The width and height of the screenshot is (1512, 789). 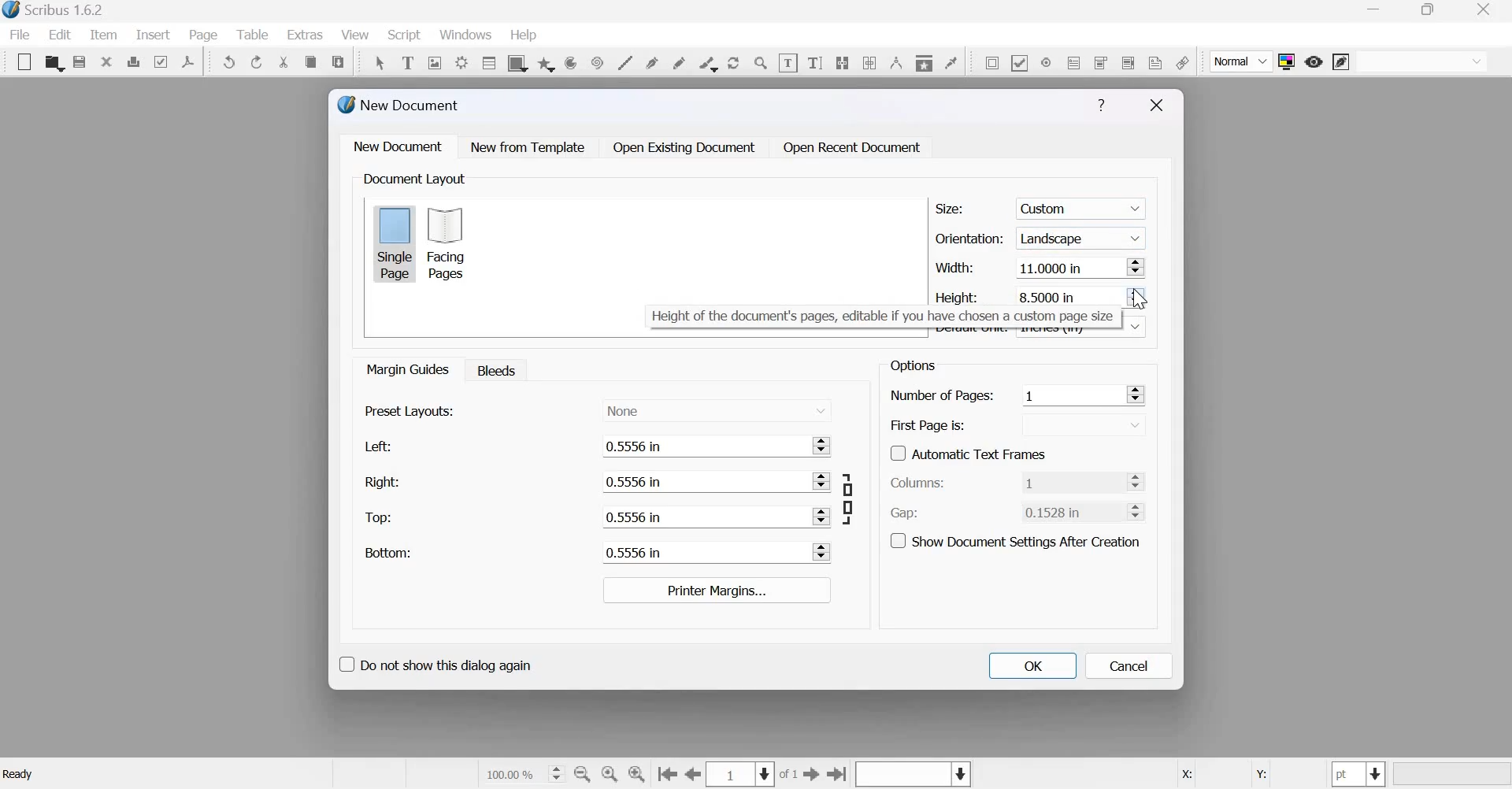 I want to click on Select the current layer, so click(x=911, y=775).